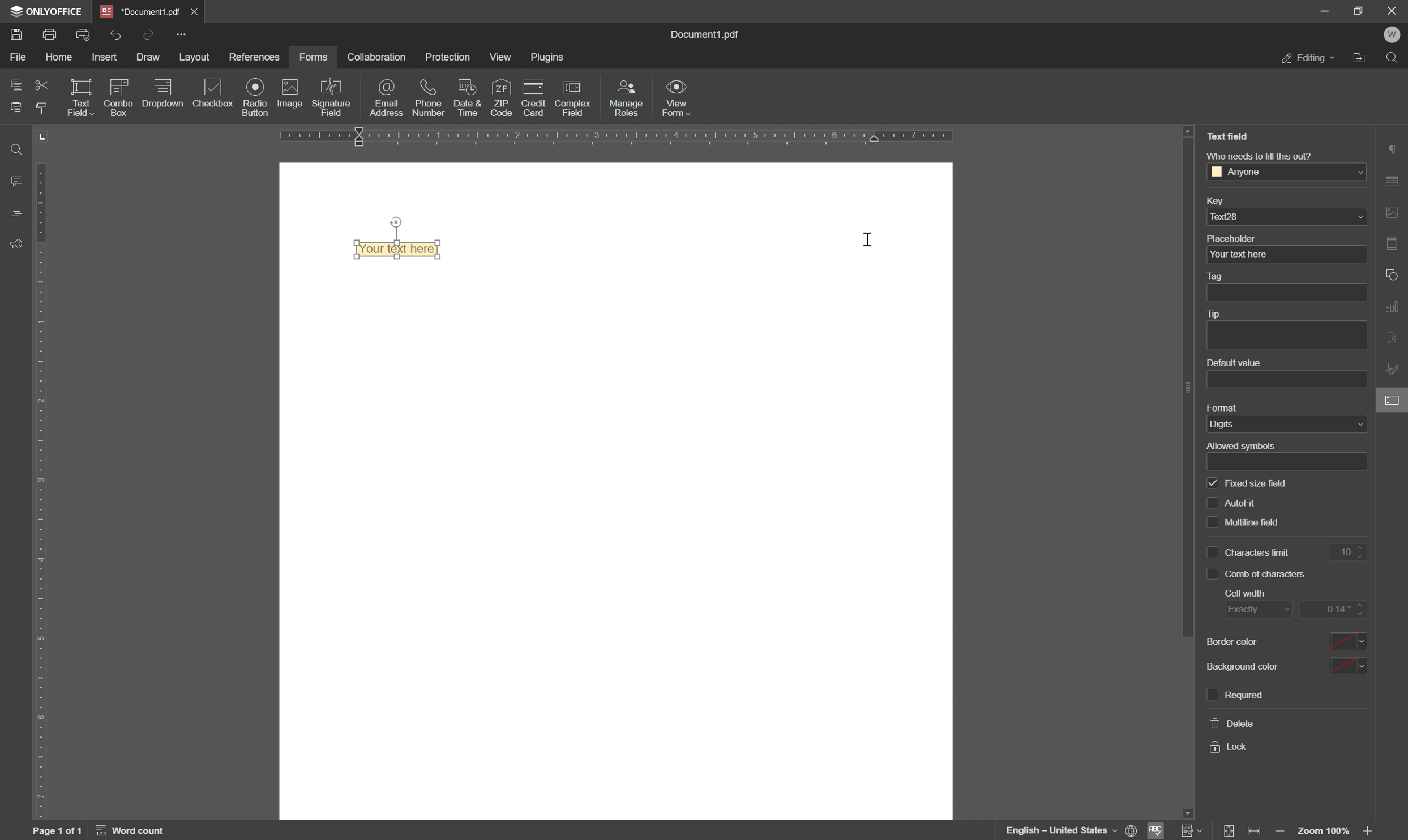 The image size is (1408, 840). I want to click on table settings, so click(1394, 181).